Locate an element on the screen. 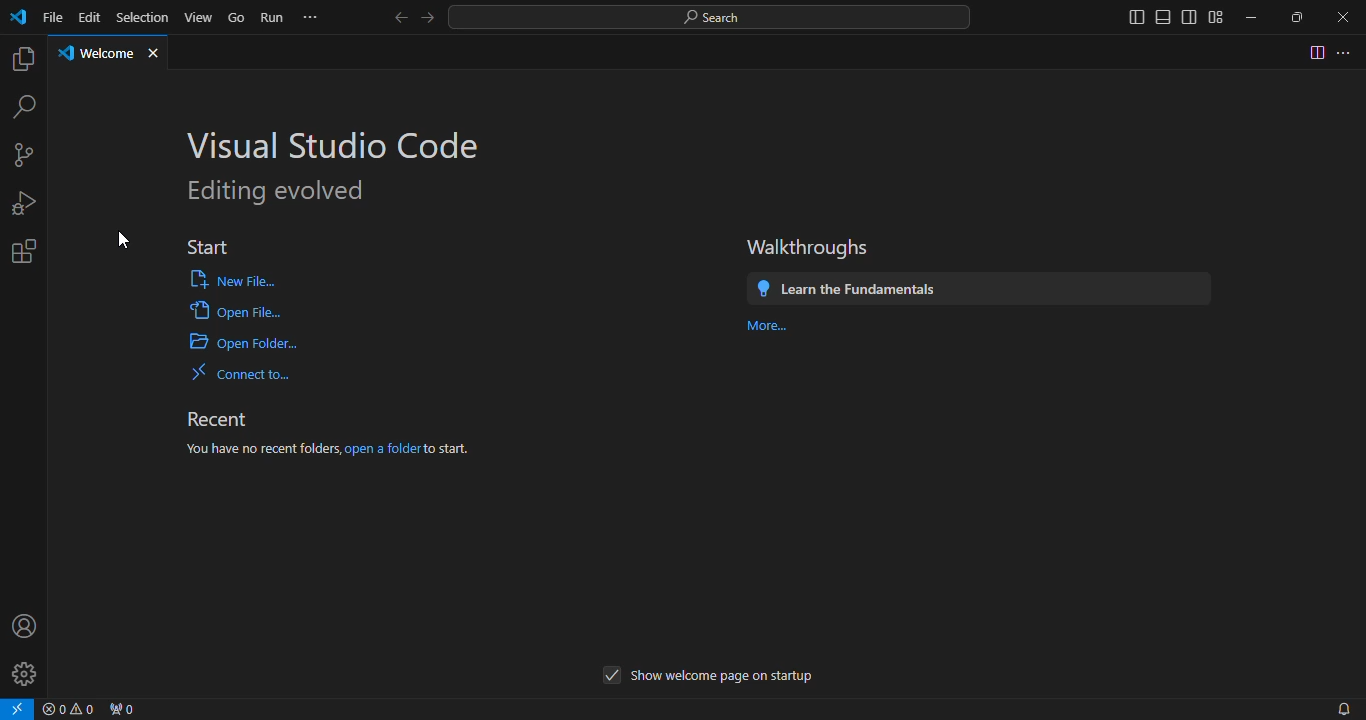  Open Folder is located at coordinates (230, 344).